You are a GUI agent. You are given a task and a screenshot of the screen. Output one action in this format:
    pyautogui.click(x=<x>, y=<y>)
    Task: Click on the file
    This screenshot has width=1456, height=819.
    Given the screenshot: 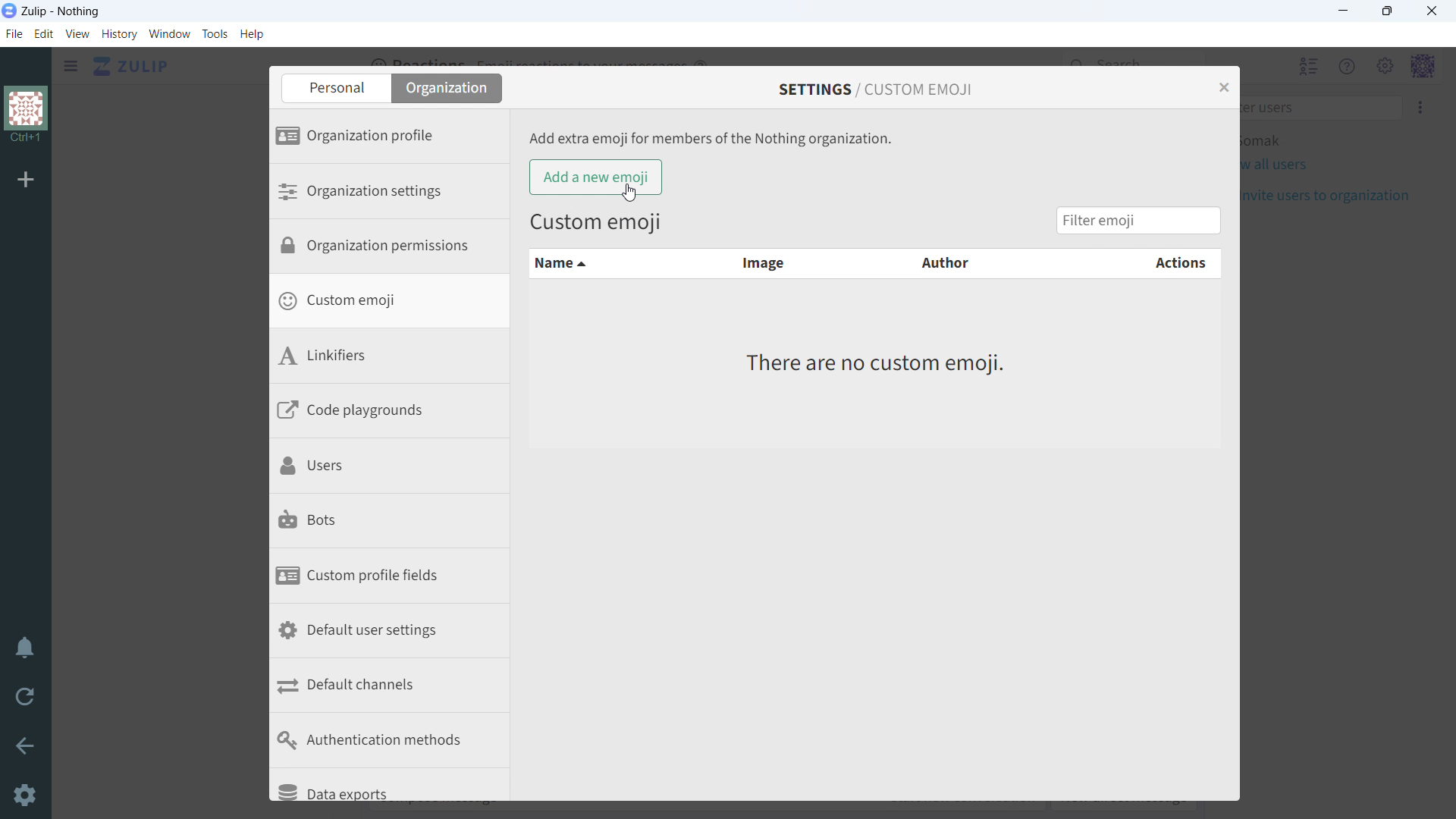 What is the action you would take?
    pyautogui.click(x=13, y=34)
    